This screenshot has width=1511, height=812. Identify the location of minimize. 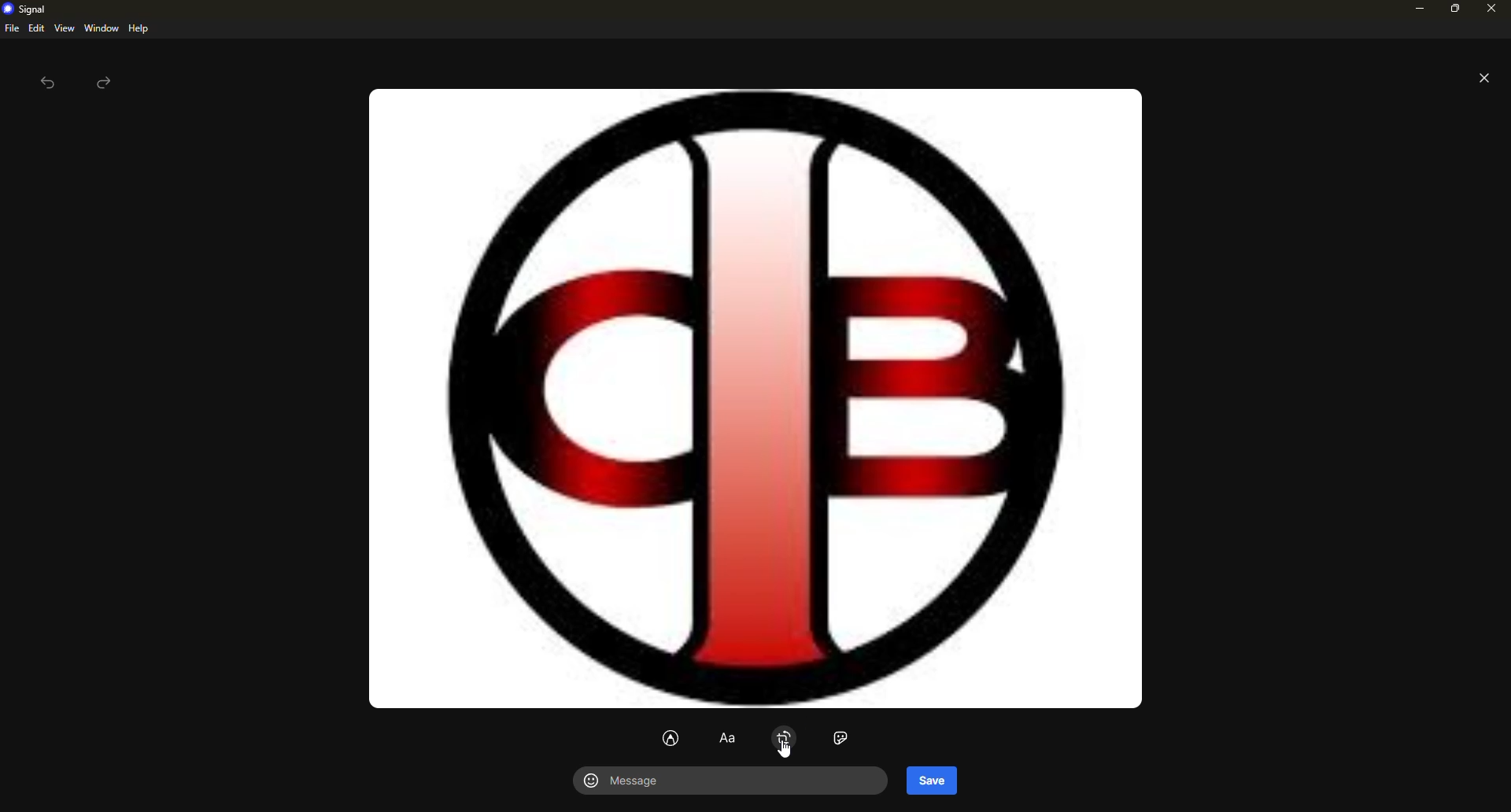
(1417, 9).